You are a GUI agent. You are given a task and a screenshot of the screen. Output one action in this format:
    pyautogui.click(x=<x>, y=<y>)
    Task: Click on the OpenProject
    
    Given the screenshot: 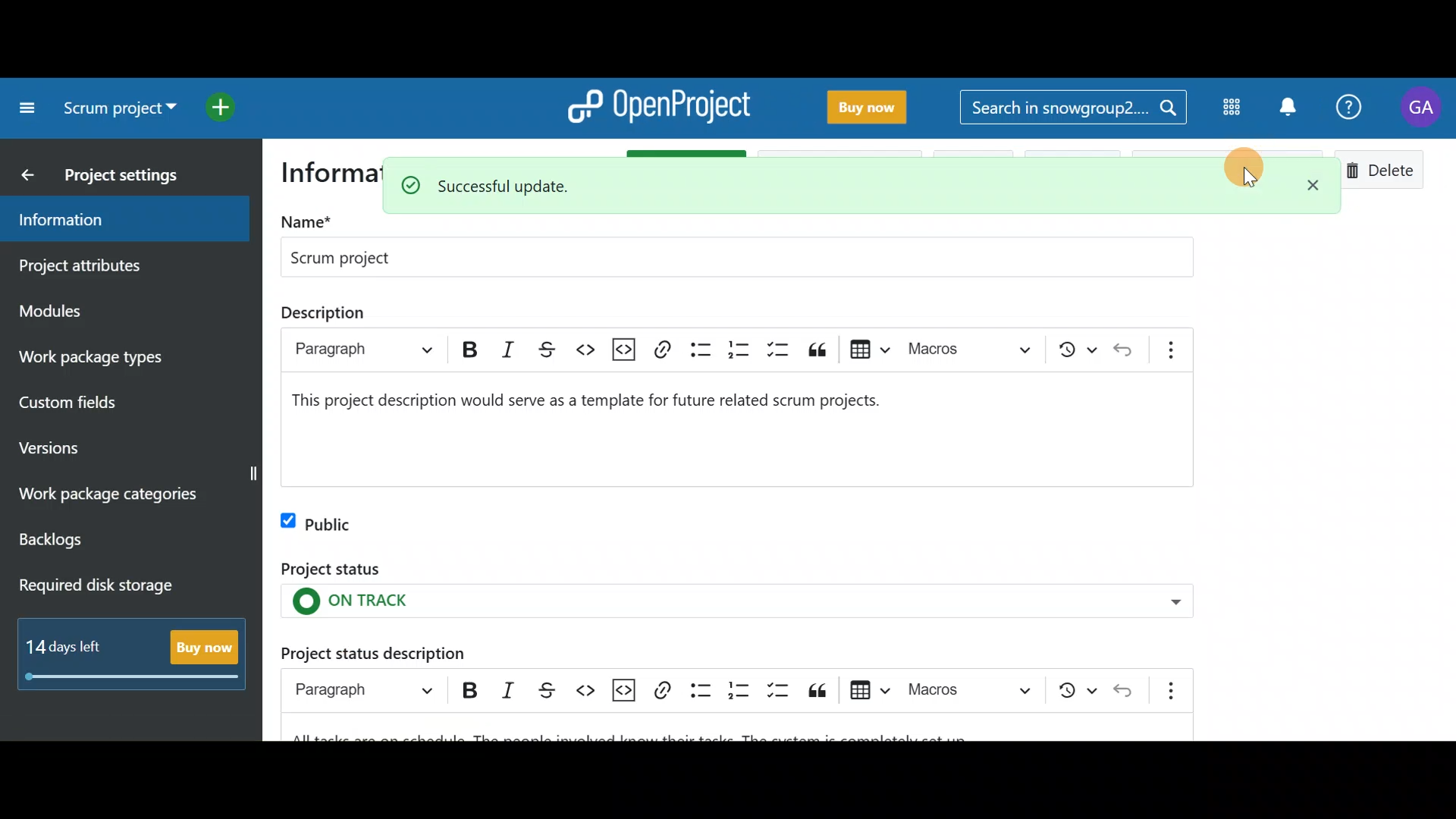 What is the action you would take?
    pyautogui.click(x=664, y=105)
    